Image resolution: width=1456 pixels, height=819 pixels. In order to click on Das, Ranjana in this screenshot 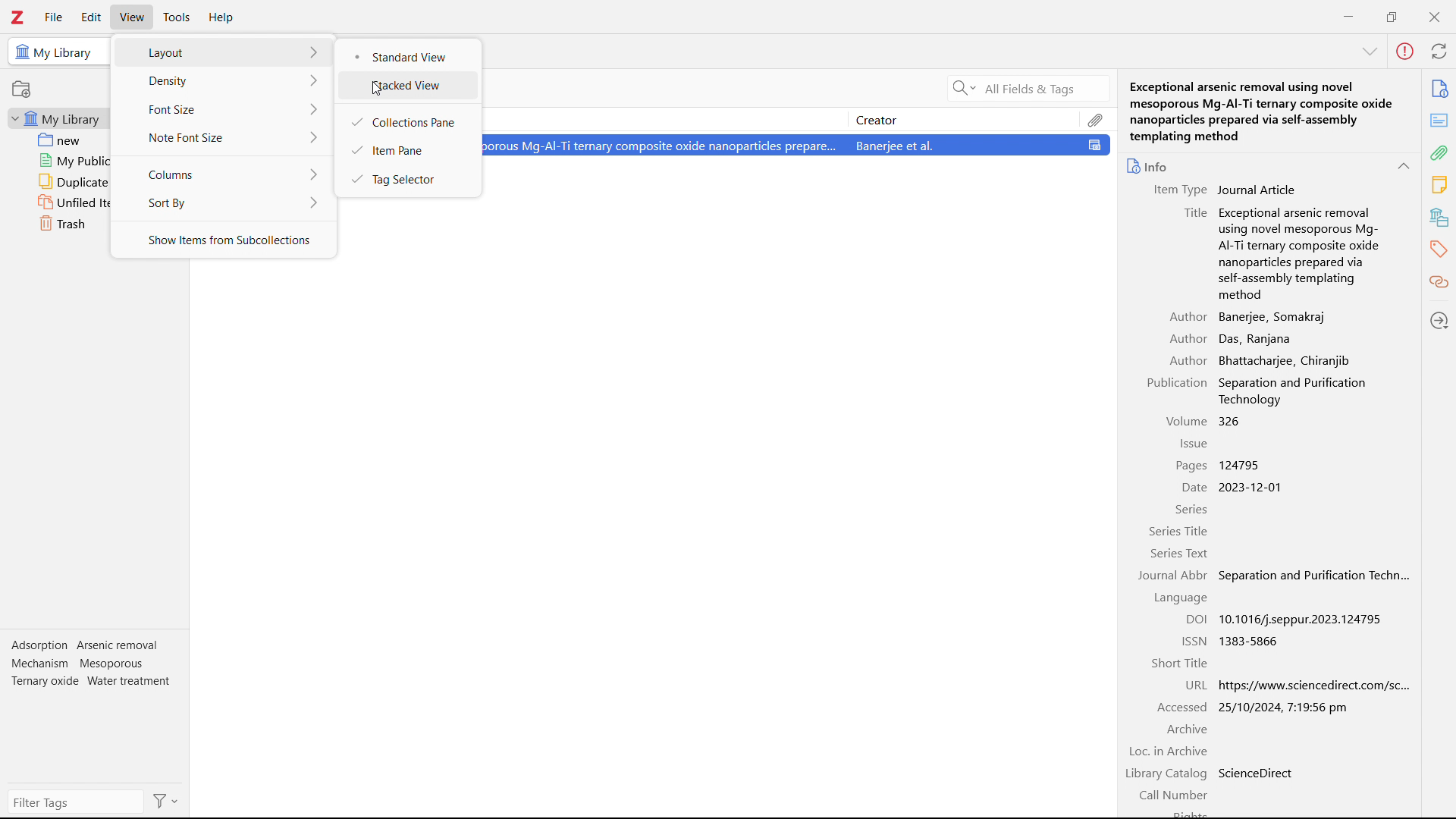, I will do `click(1255, 338)`.